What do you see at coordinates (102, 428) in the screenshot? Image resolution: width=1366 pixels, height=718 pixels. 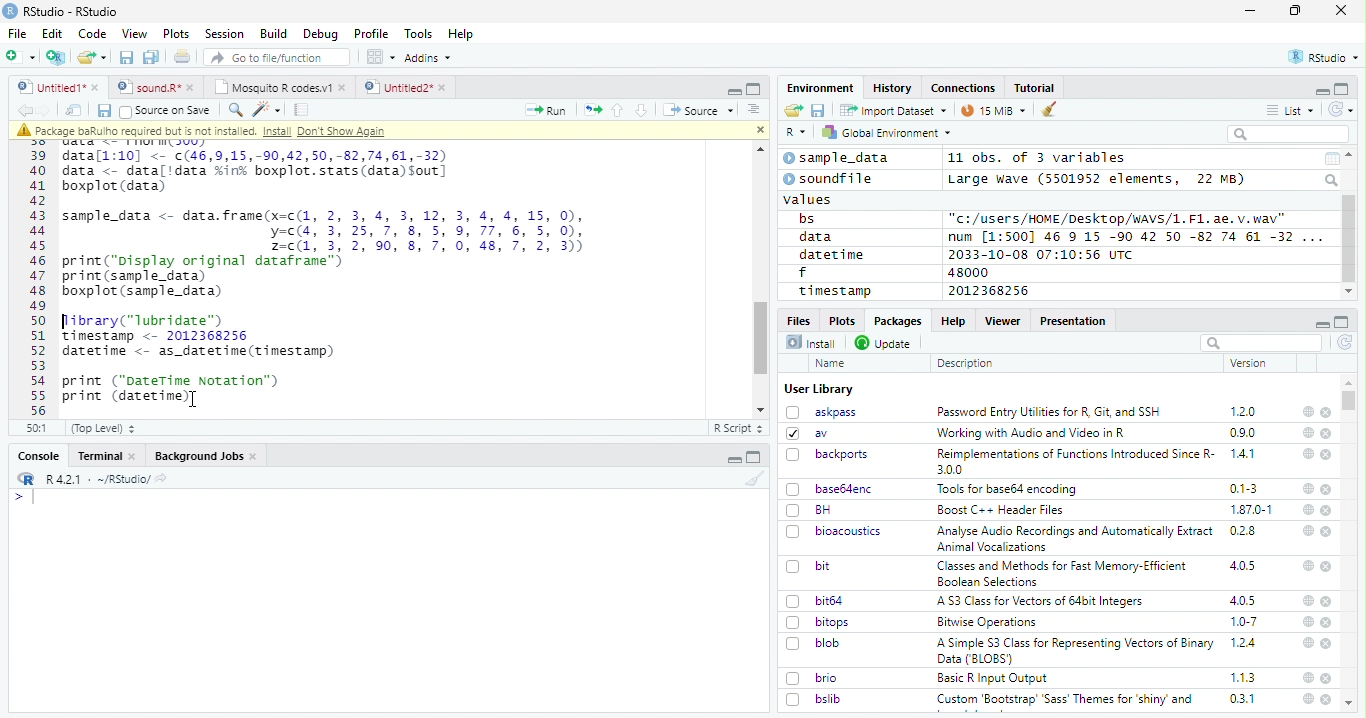 I see `(Top Level)` at bounding box center [102, 428].